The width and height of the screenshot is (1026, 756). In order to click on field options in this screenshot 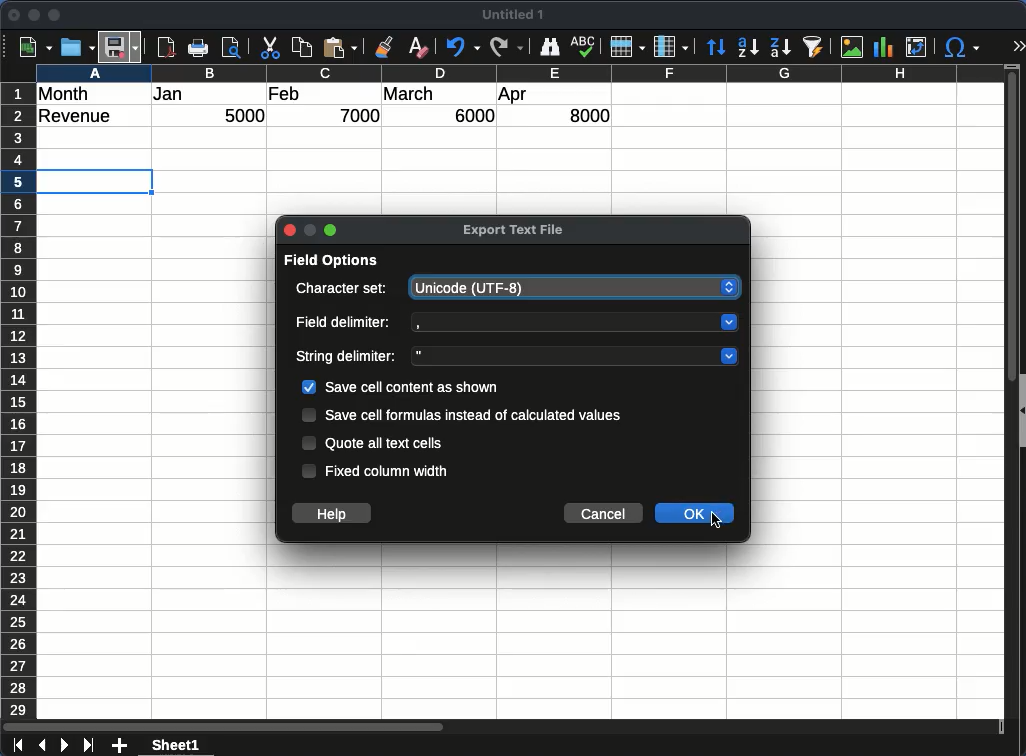, I will do `click(333, 263)`.